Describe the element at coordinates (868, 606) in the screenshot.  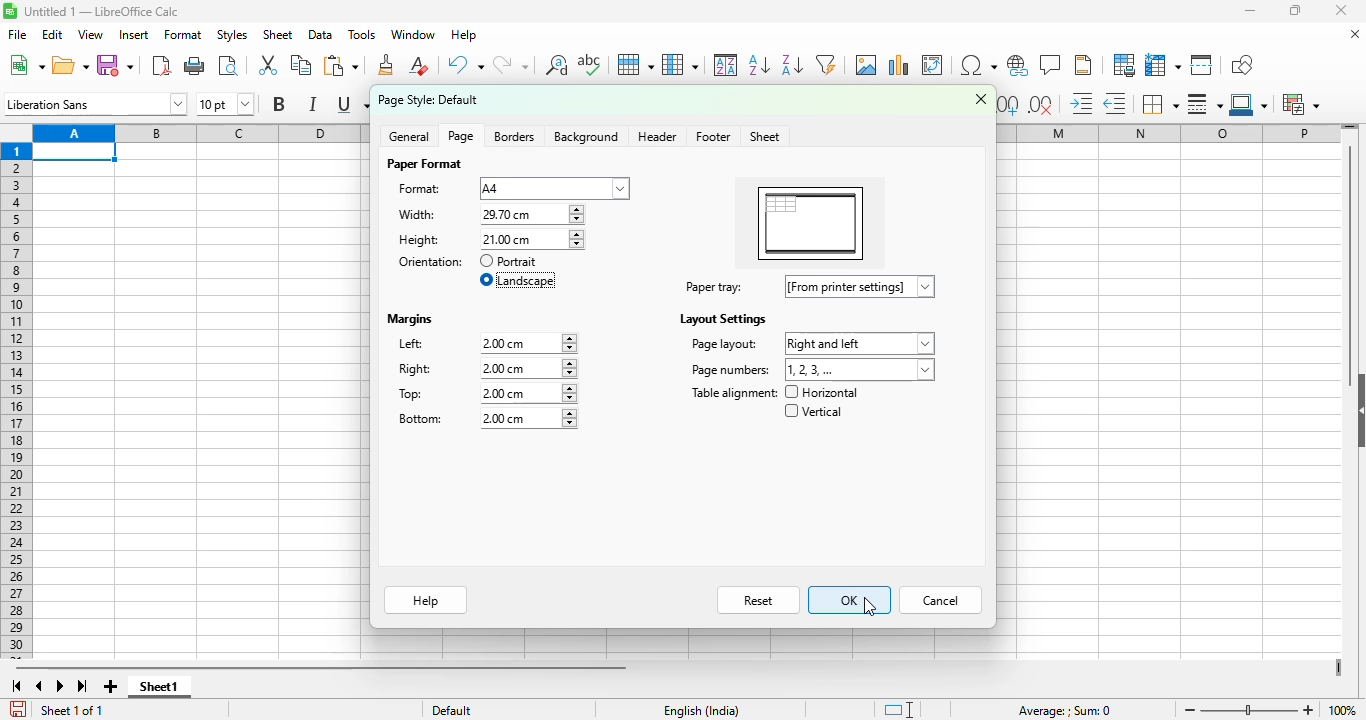
I see `cursor` at that location.